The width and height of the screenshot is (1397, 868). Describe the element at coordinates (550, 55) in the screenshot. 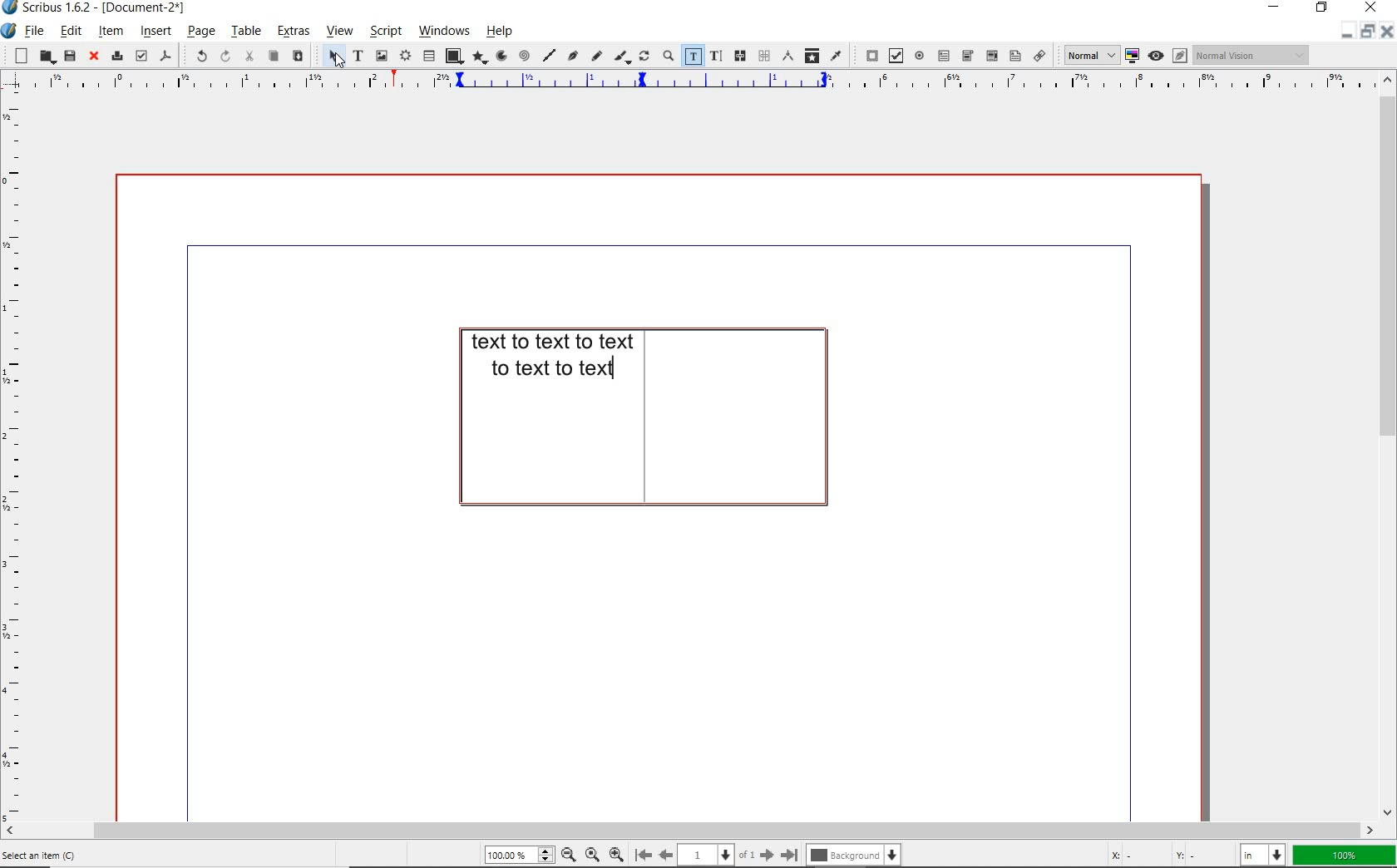

I see `line` at that location.